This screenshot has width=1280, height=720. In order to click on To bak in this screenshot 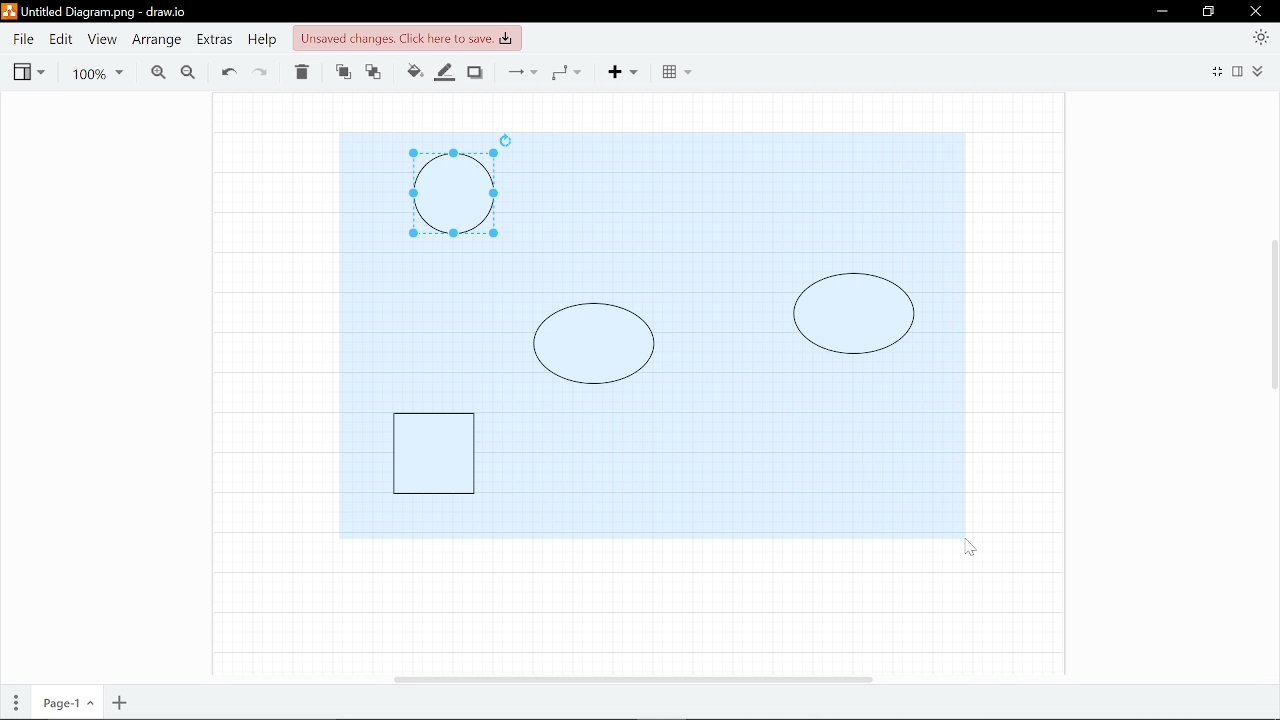, I will do `click(377, 73)`.